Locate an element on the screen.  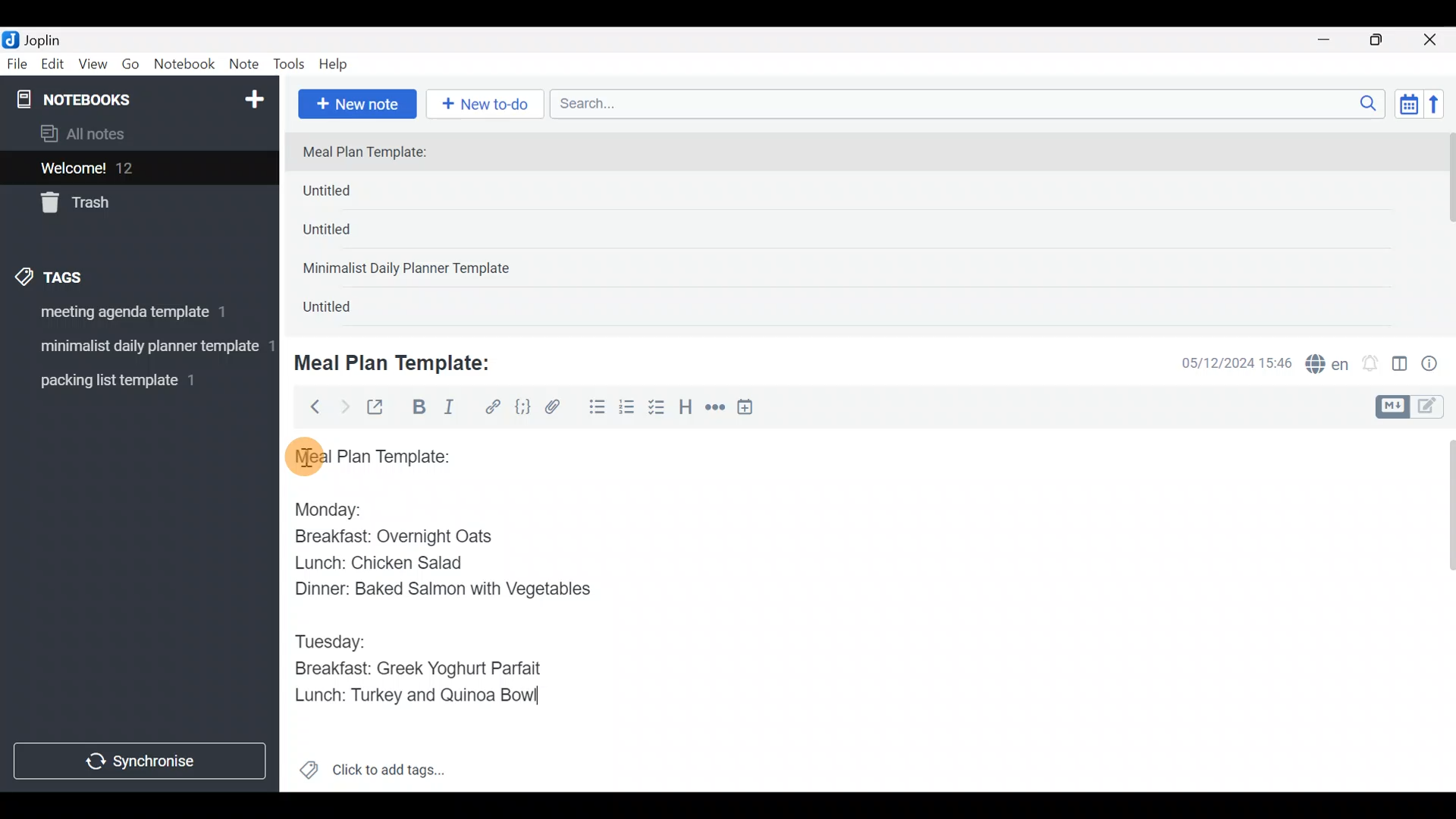
Untitled is located at coordinates (352, 194).